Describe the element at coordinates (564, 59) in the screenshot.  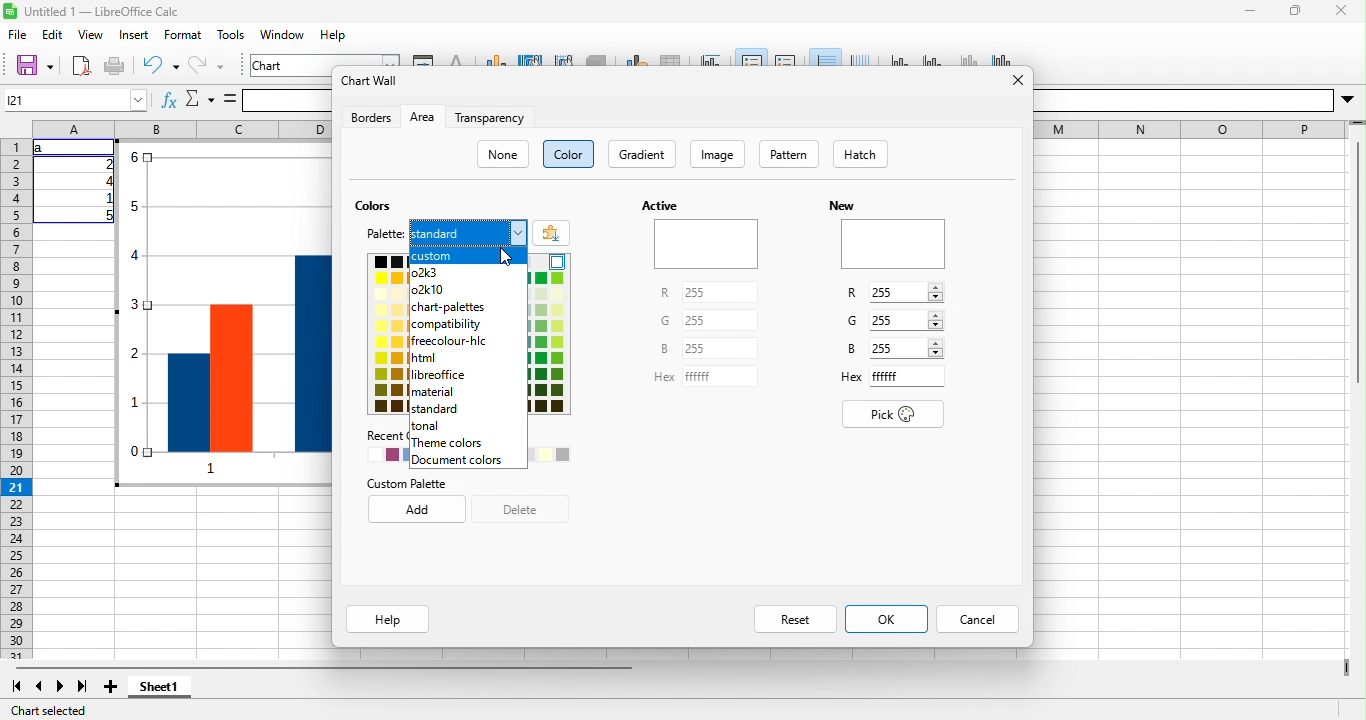
I see `chart wall` at that location.